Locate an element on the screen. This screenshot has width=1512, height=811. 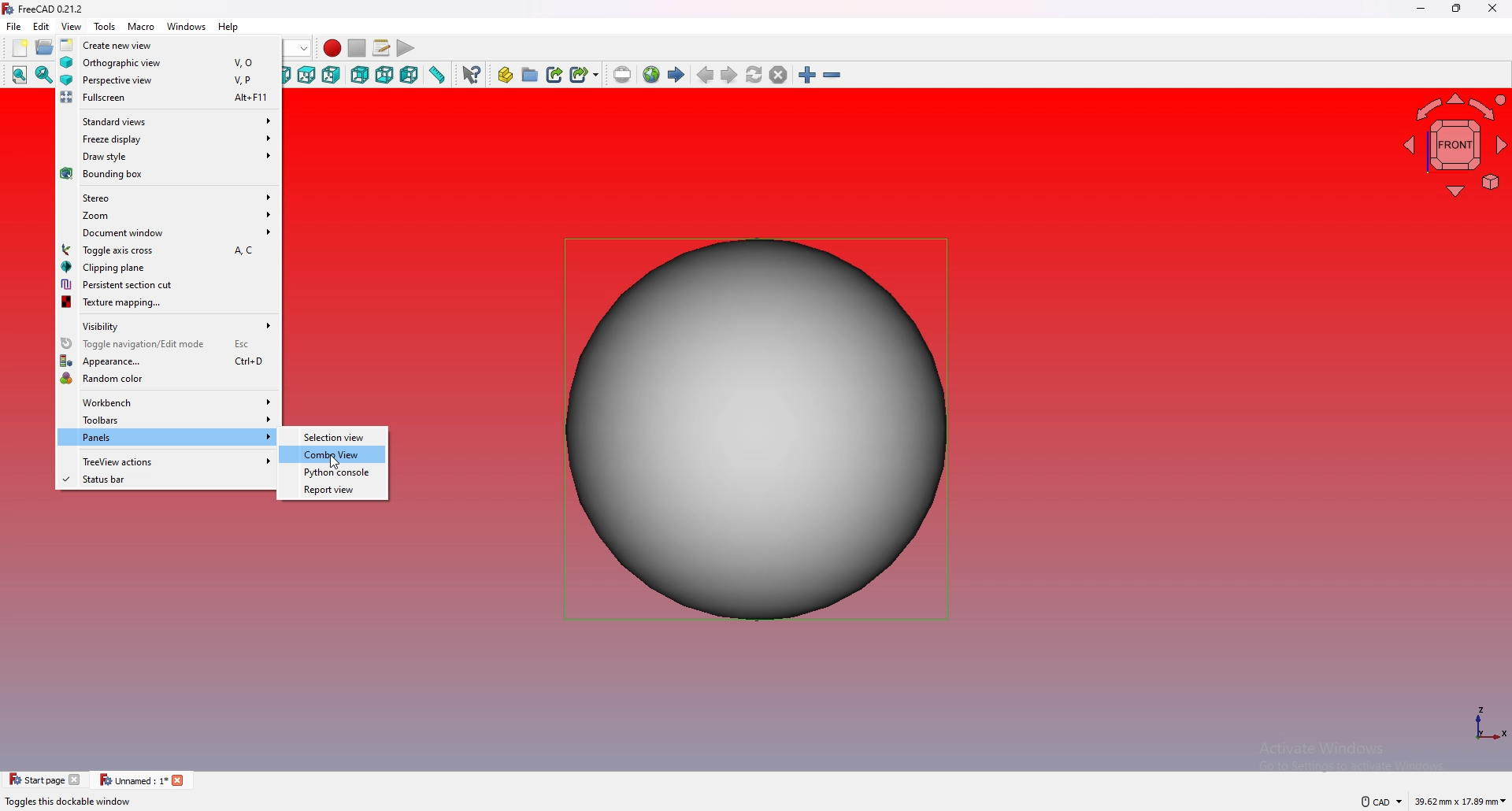
set url is located at coordinates (622, 75).